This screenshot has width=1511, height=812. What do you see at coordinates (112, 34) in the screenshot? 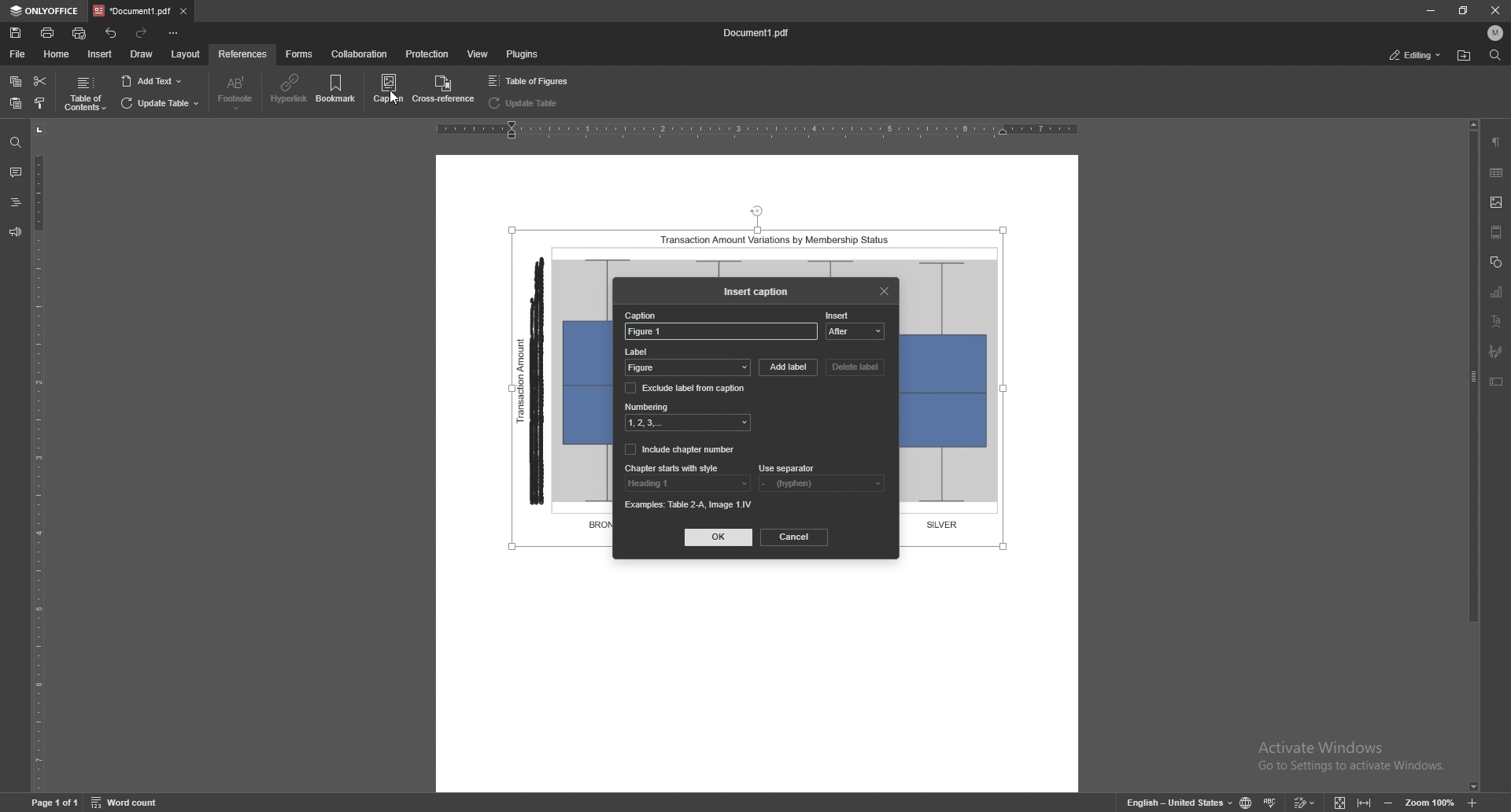
I see `undo` at bounding box center [112, 34].